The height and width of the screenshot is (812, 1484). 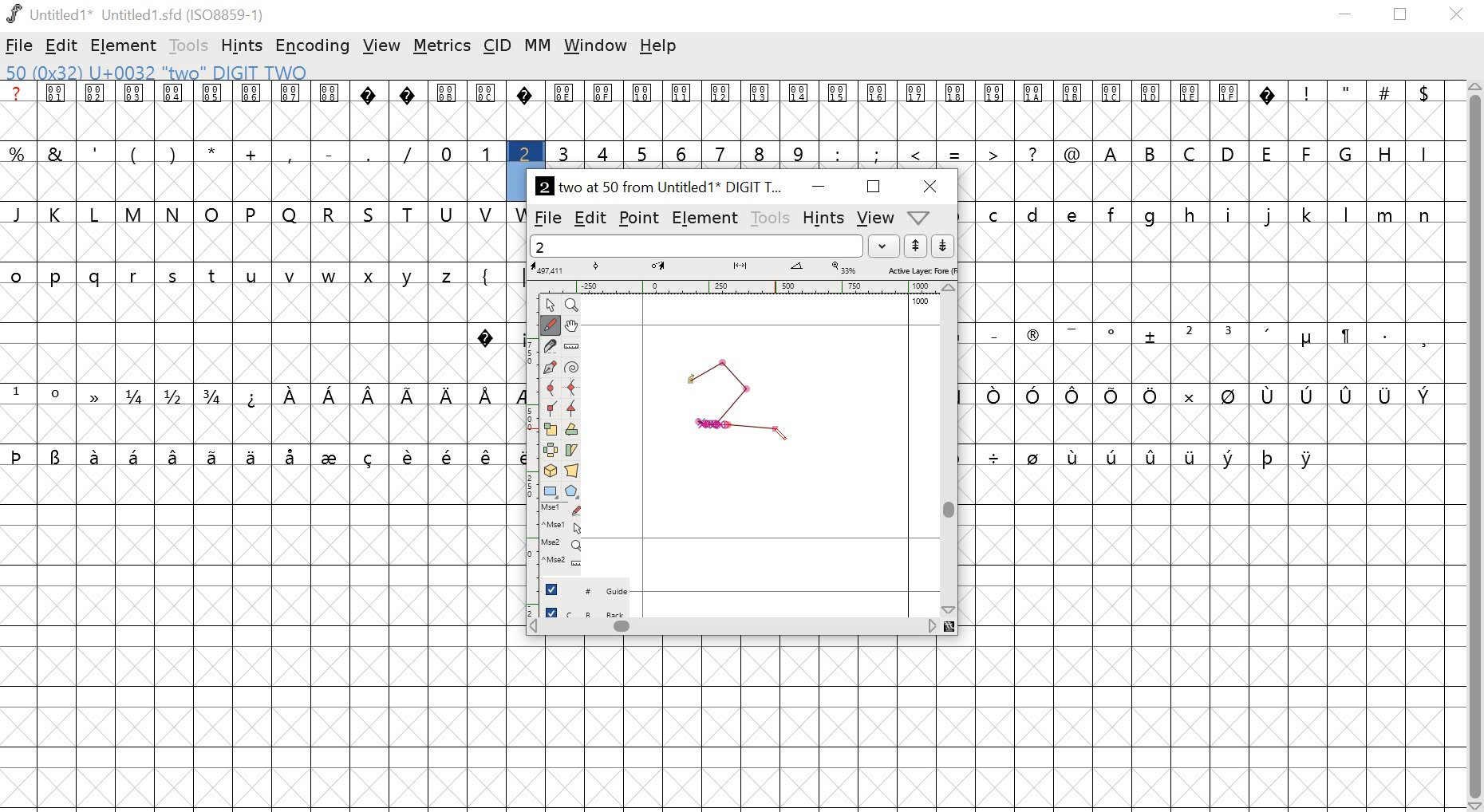 I want to click on mouse wheel button, so click(x=563, y=546).